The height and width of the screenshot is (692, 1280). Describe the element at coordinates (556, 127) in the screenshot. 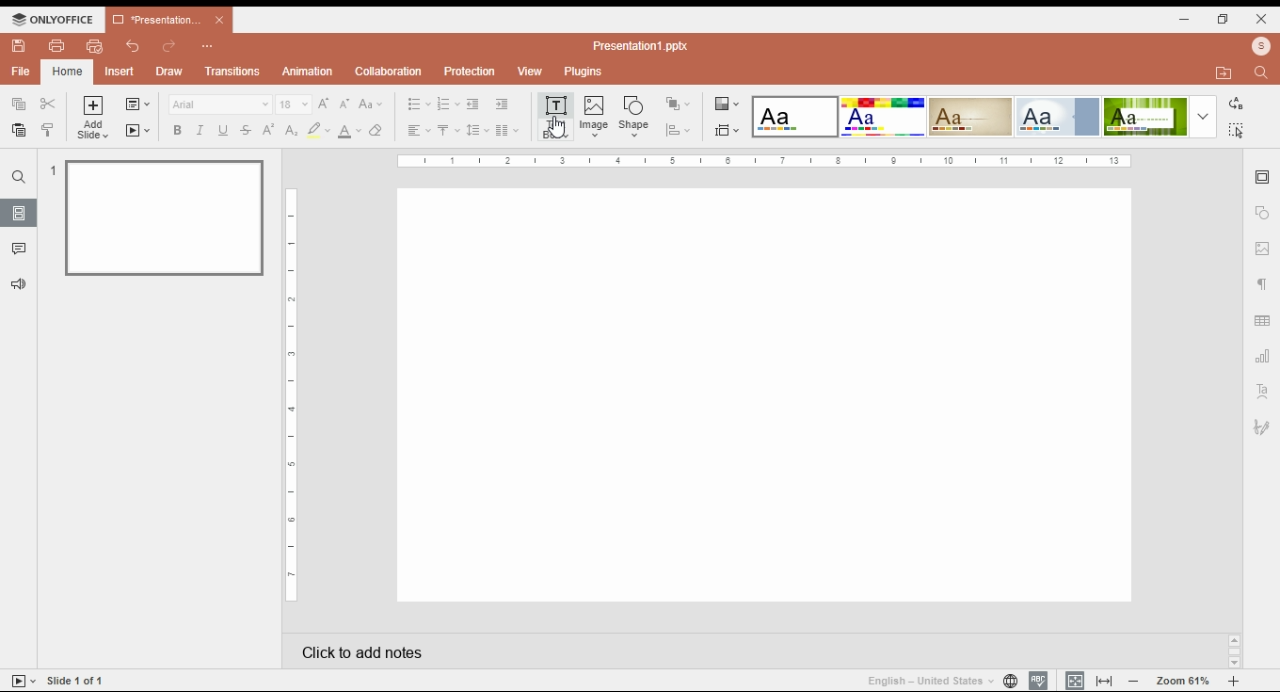

I see `hand cursor` at that location.